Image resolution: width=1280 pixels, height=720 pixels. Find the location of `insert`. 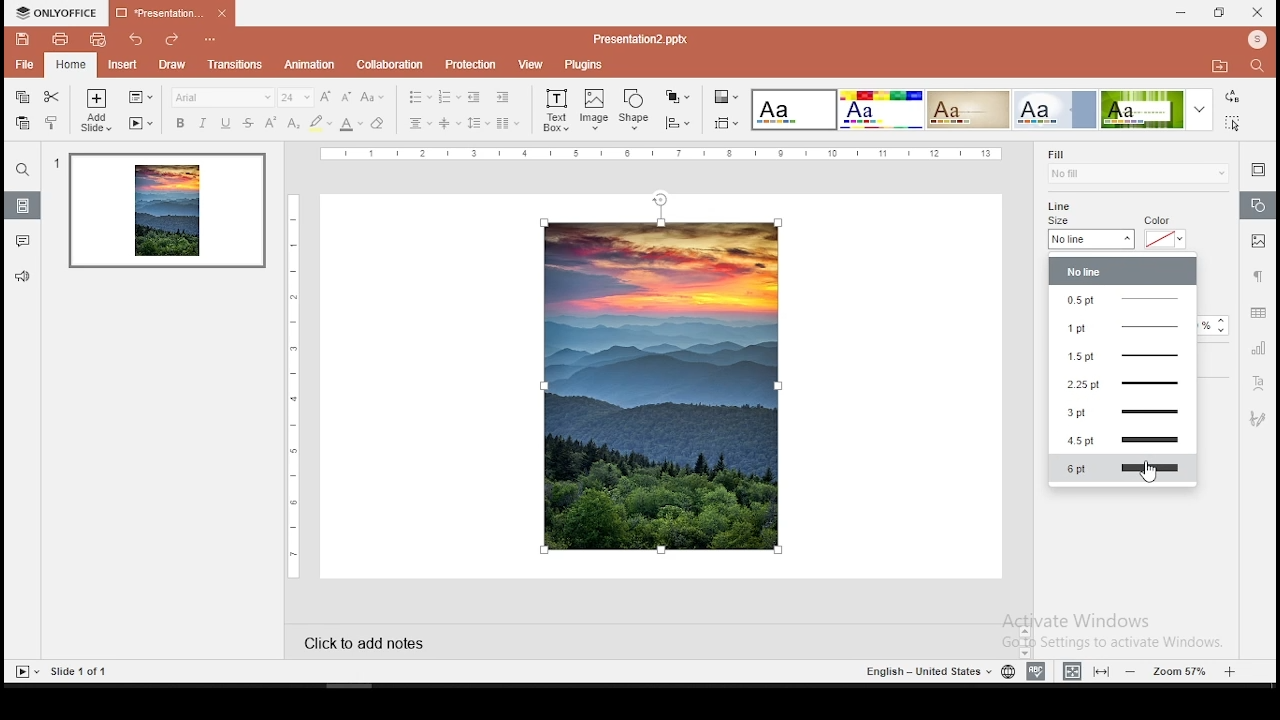

insert is located at coordinates (119, 65).